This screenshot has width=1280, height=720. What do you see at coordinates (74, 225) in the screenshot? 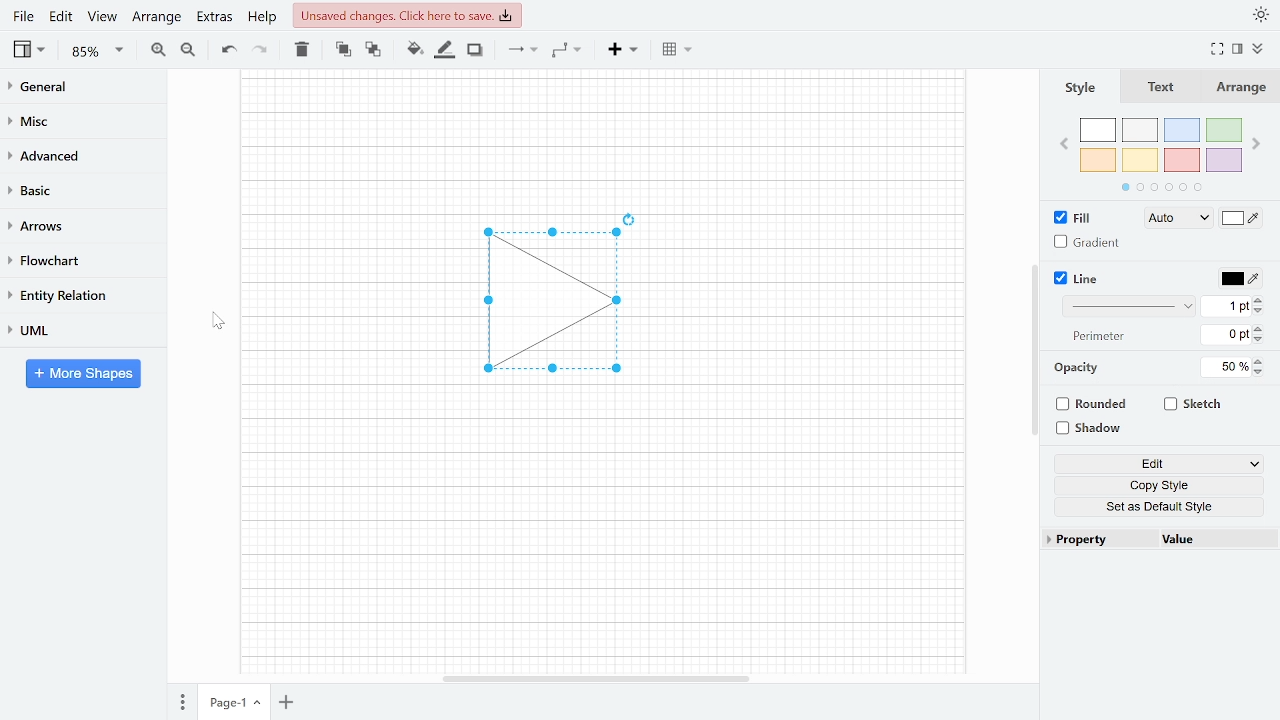
I see `Arrows` at bounding box center [74, 225].